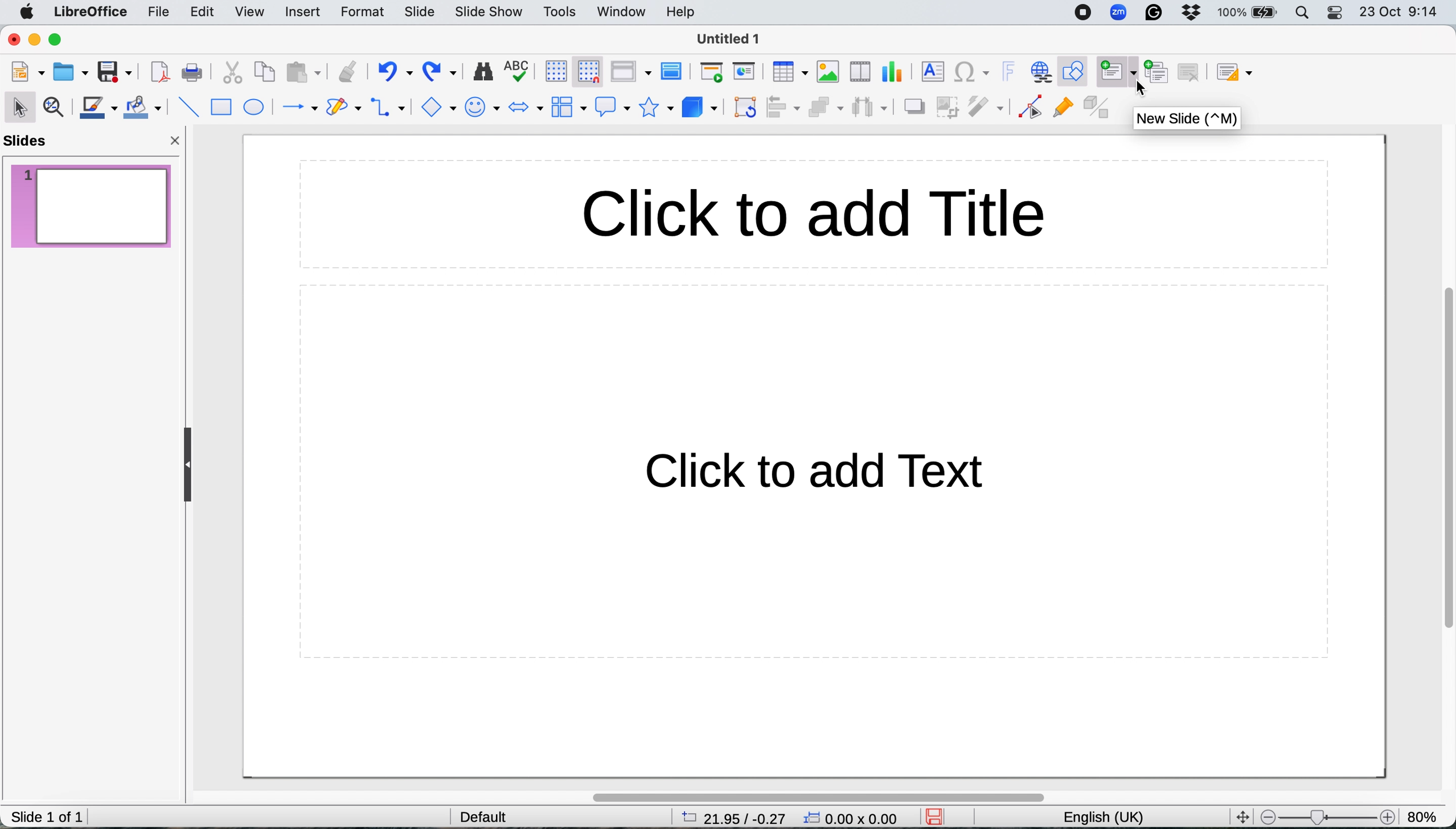  I want to click on fill color, so click(142, 109).